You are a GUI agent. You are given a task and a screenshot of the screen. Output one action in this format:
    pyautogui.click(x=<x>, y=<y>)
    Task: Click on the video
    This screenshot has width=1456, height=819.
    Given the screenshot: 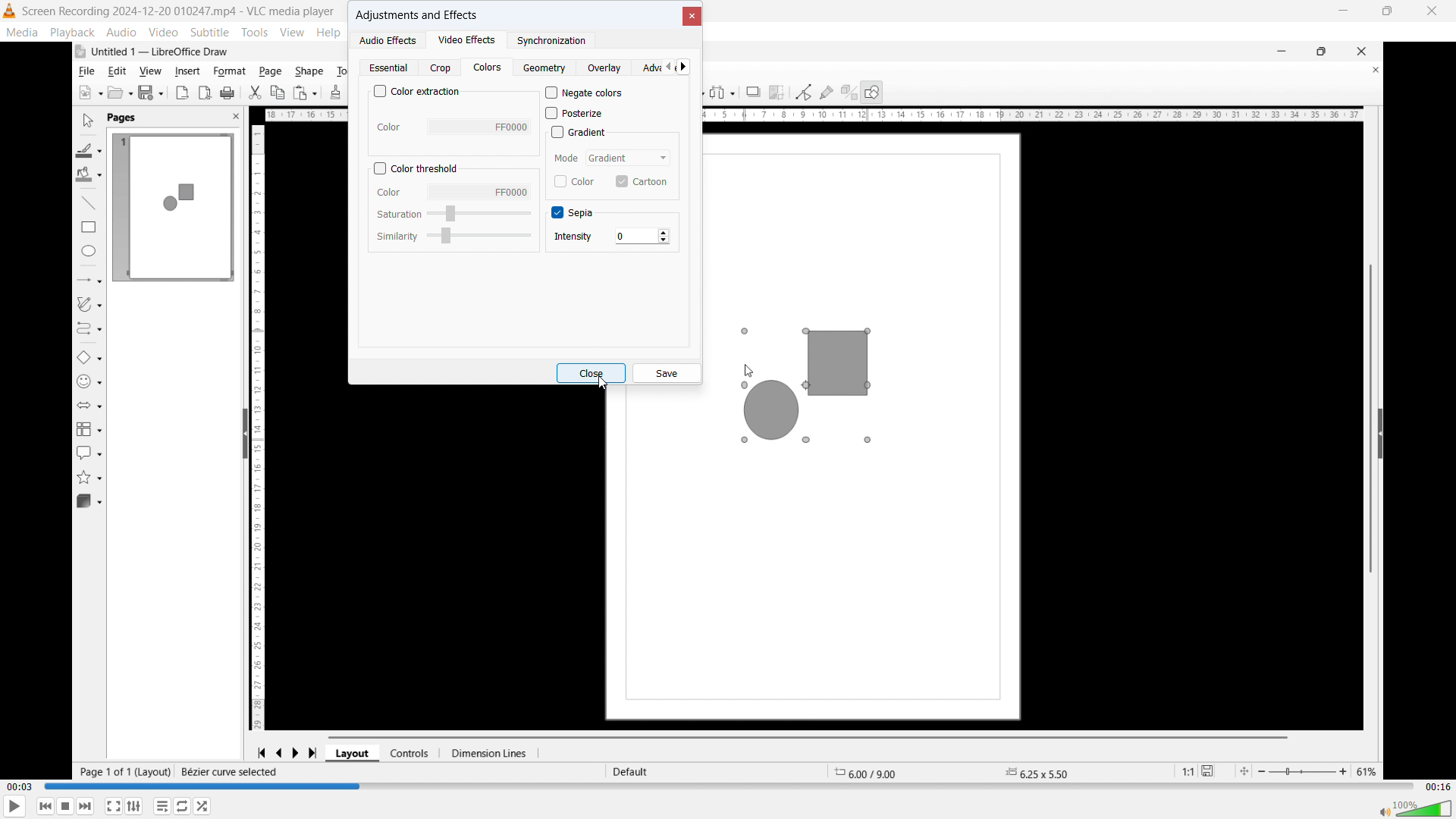 What is the action you would take?
    pyautogui.click(x=163, y=32)
    